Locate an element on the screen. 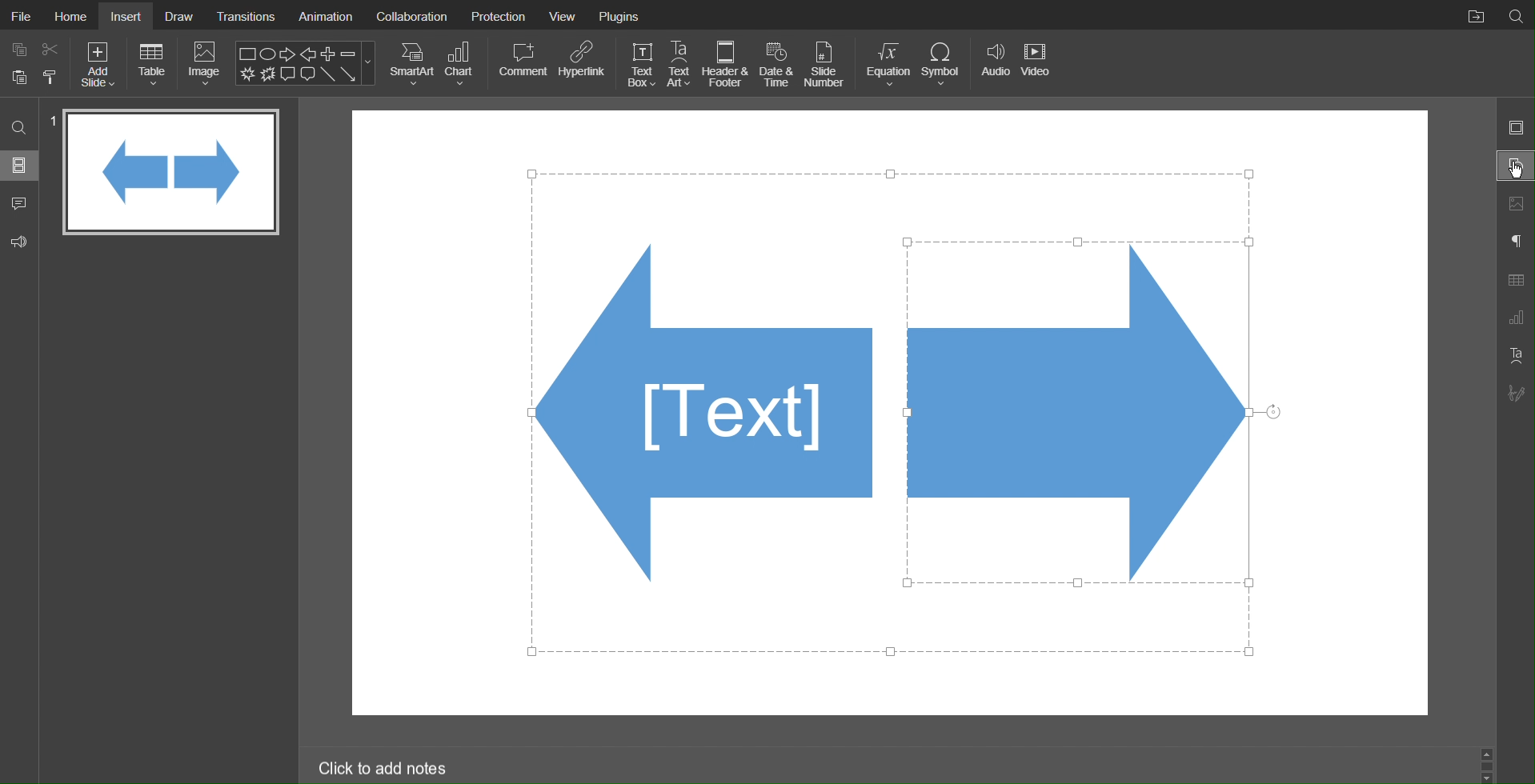 This screenshot has height=784, width=1535. Image is located at coordinates (205, 63).